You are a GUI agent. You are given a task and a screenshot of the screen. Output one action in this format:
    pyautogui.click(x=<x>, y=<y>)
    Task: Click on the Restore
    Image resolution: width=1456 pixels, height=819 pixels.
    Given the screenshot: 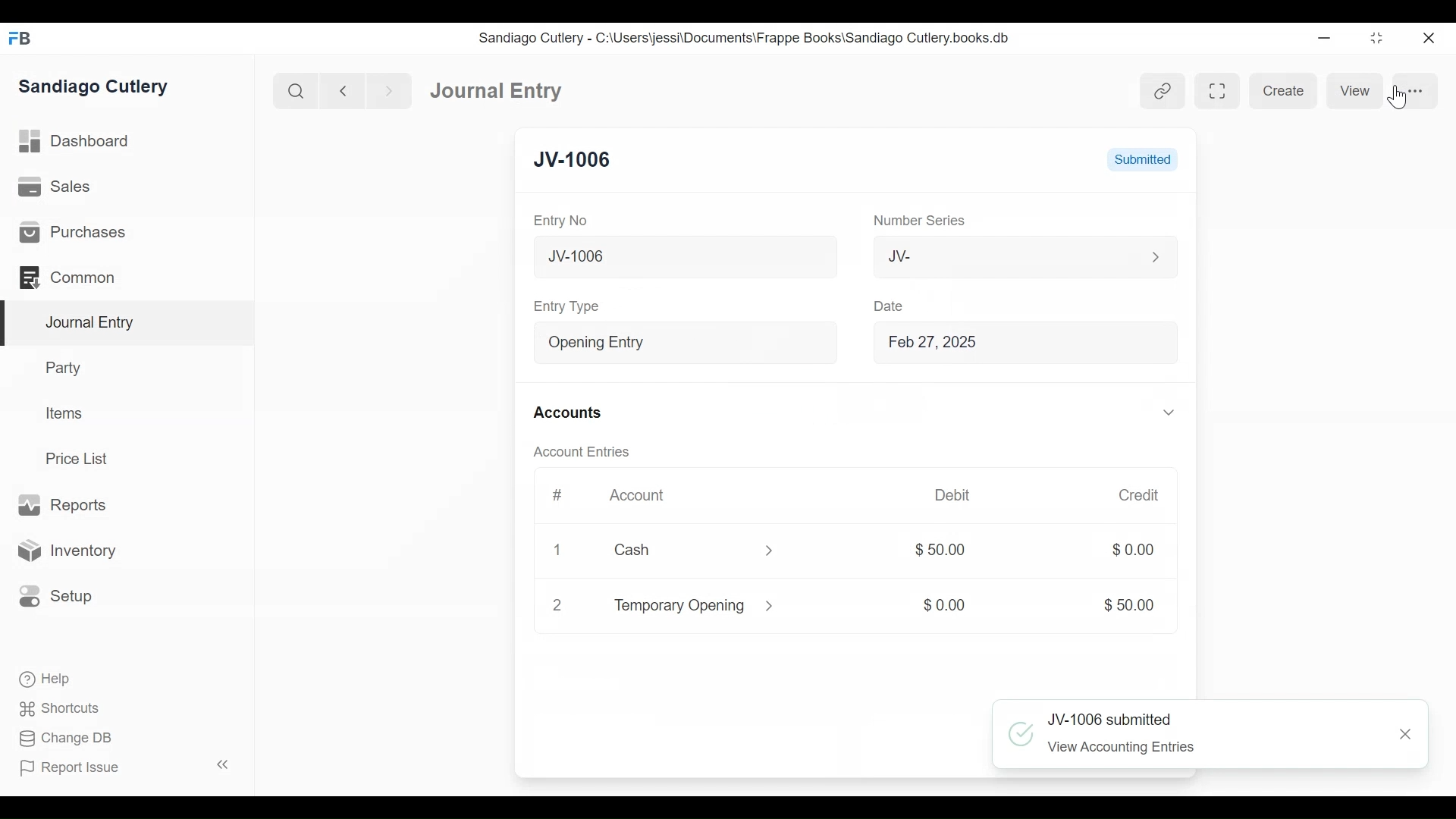 What is the action you would take?
    pyautogui.click(x=1376, y=37)
    